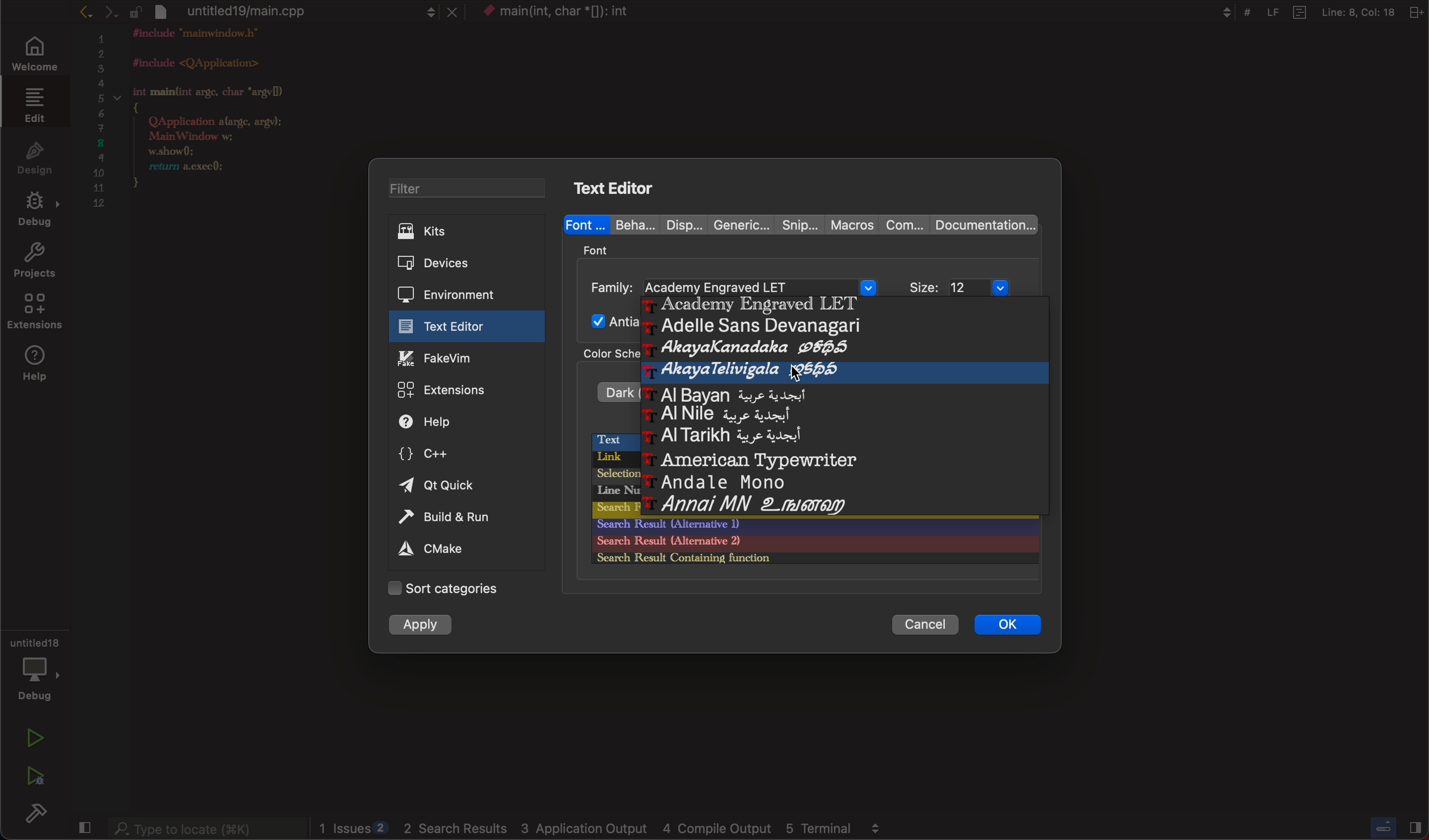 This screenshot has width=1429, height=840. I want to click on debug, so click(35, 673).